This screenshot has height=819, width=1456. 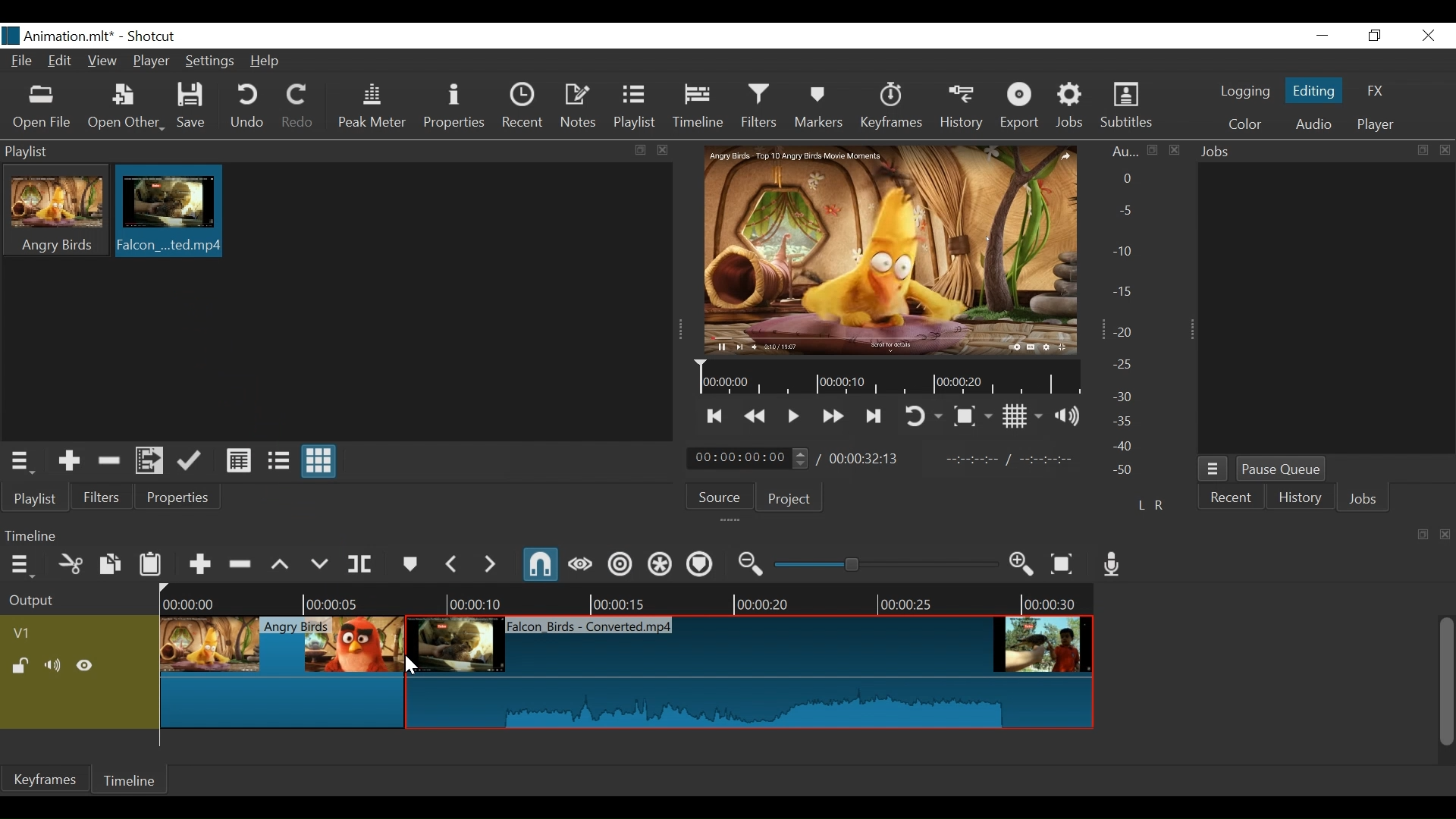 What do you see at coordinates (542, 566) in the screenshot?
I see `Snap` at bounding box center [542, 566].